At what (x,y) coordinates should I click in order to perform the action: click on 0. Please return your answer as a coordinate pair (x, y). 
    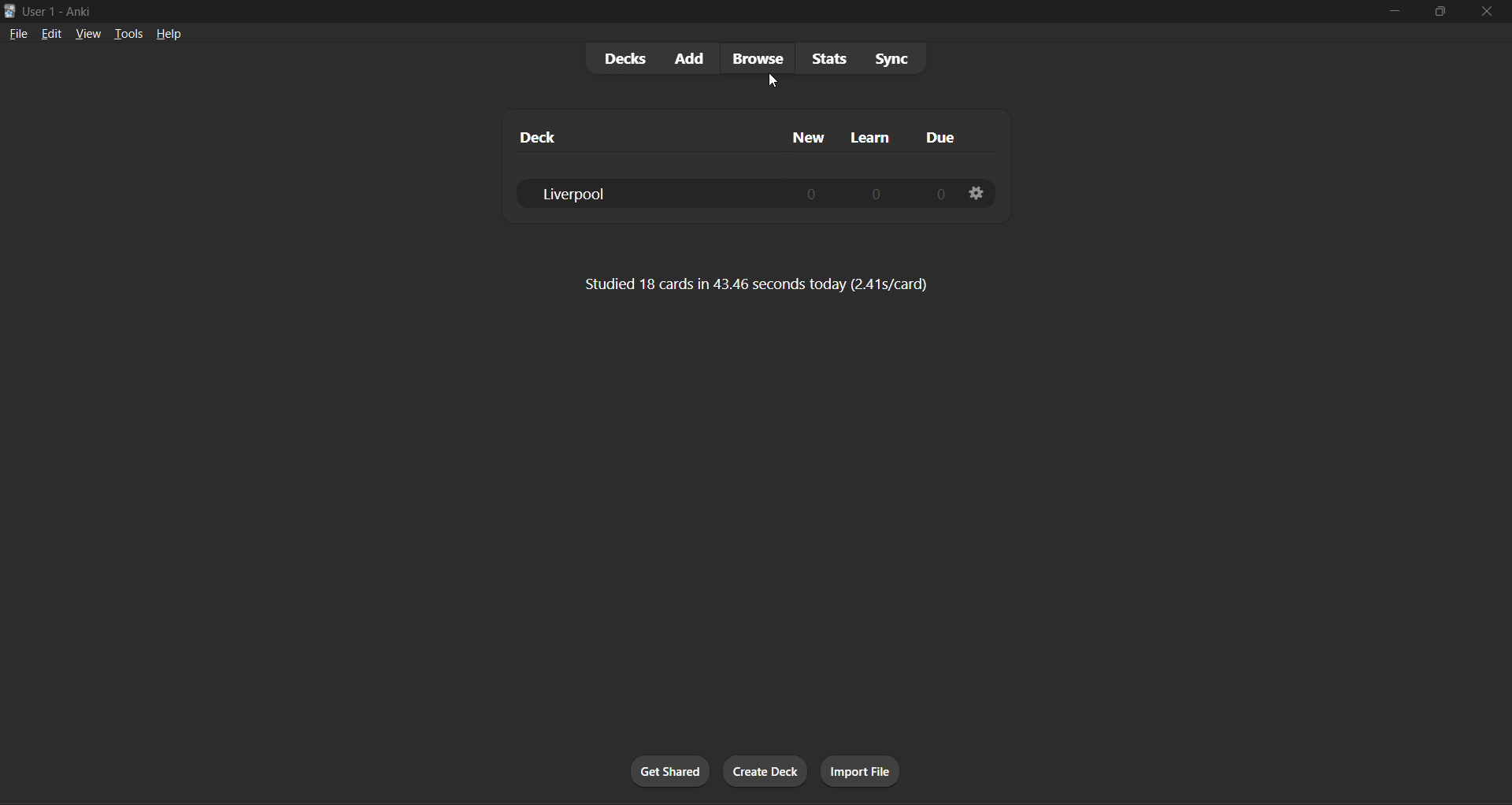
    Looking at the image, I should click on (926, 191).